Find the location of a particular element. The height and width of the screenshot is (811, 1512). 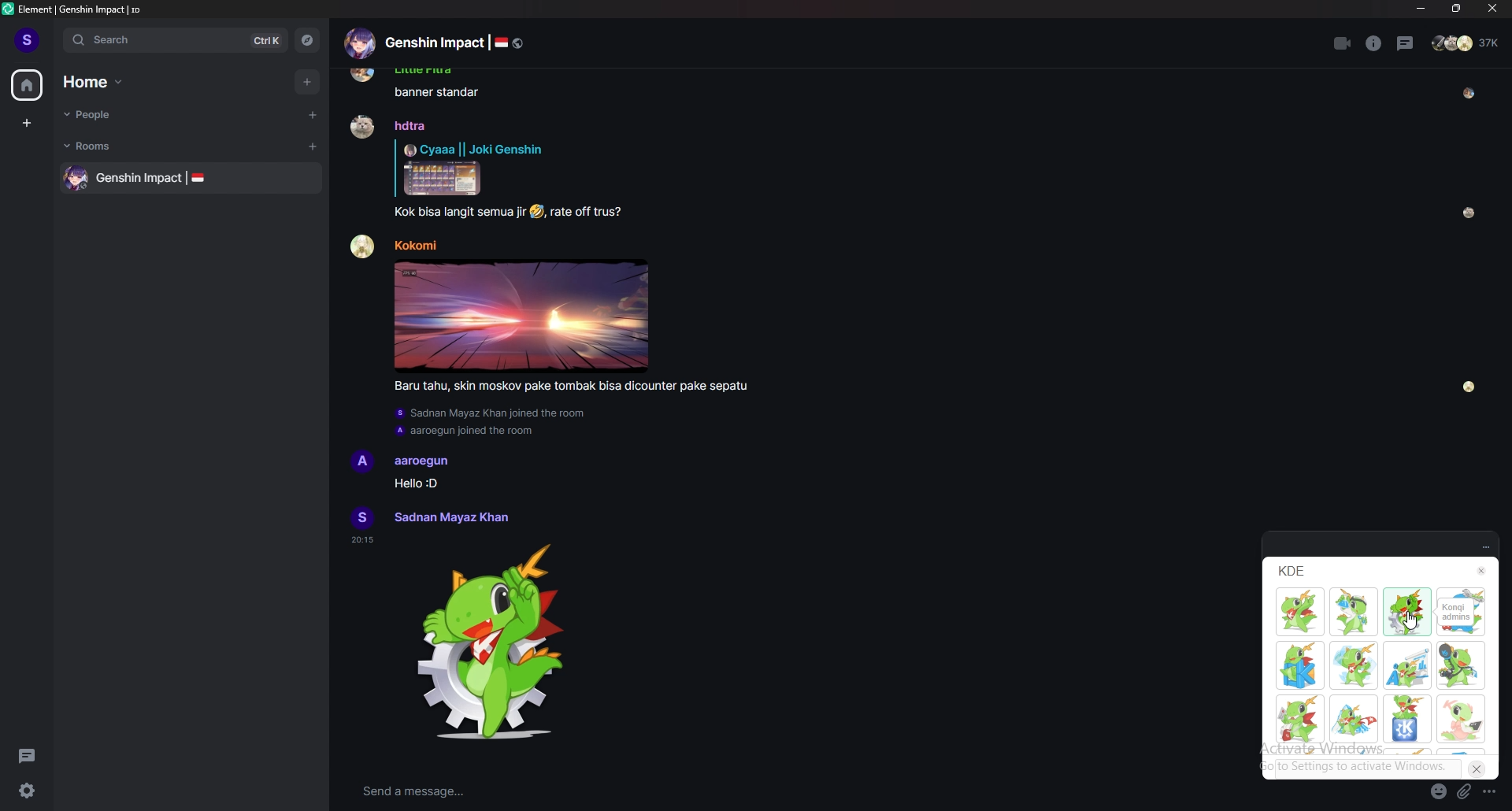

threads is located at coordinates (1406, 43).